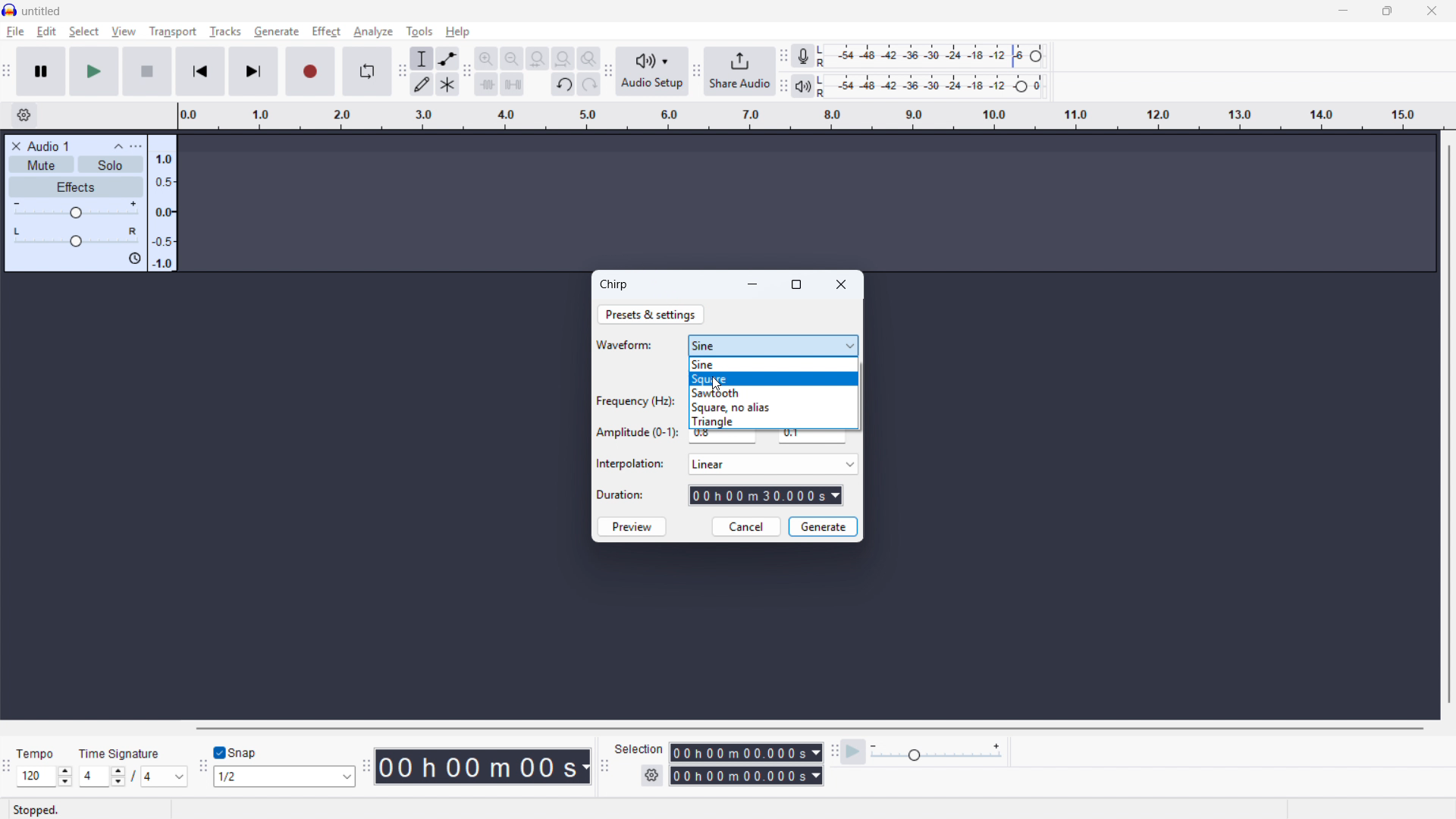  What do you see at coordinates (1389, 11) in the screenshot?
I see `maximise ` at bounding box center [1389, 11].